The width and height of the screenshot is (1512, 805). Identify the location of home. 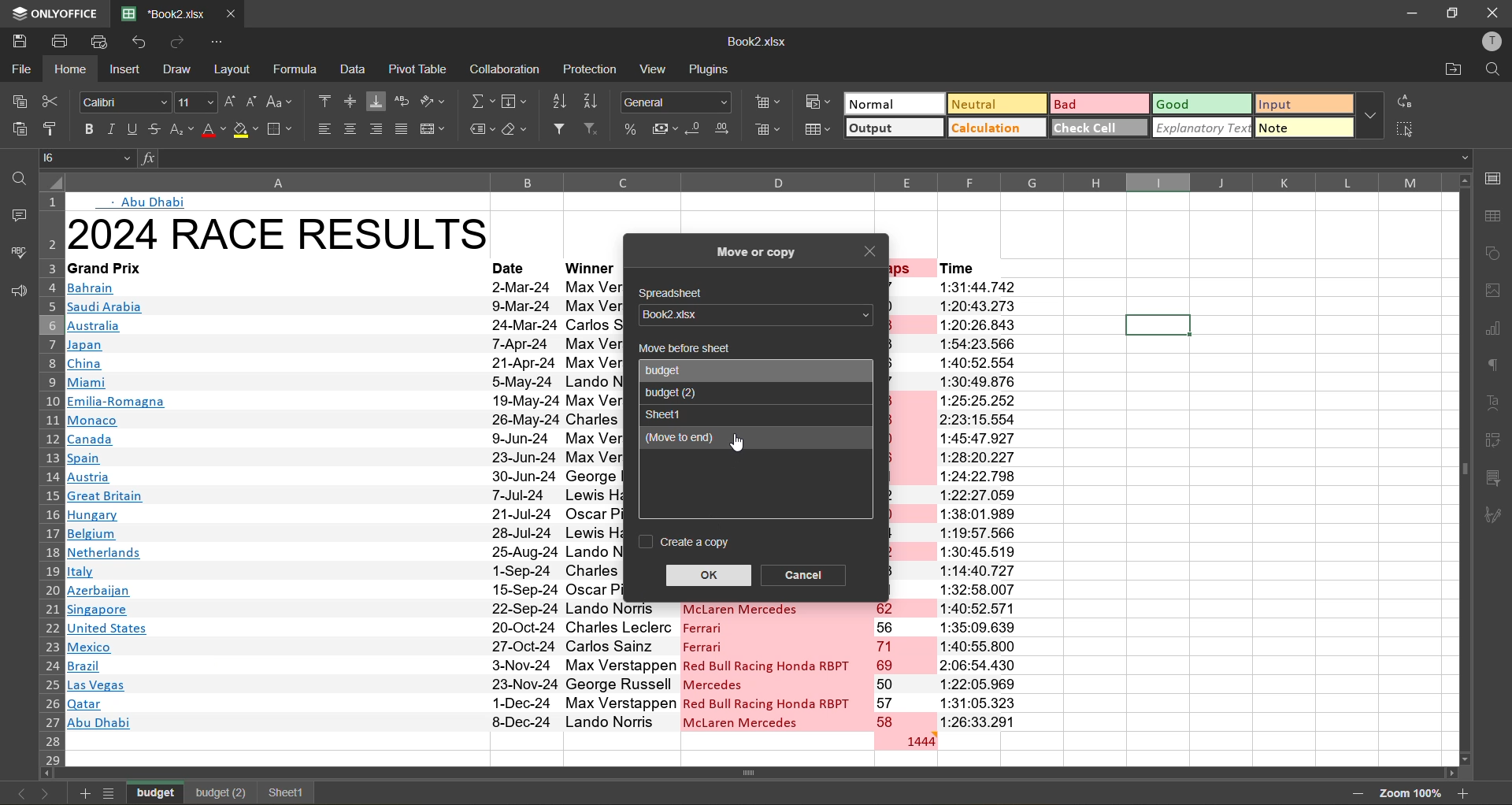
(75, 69).